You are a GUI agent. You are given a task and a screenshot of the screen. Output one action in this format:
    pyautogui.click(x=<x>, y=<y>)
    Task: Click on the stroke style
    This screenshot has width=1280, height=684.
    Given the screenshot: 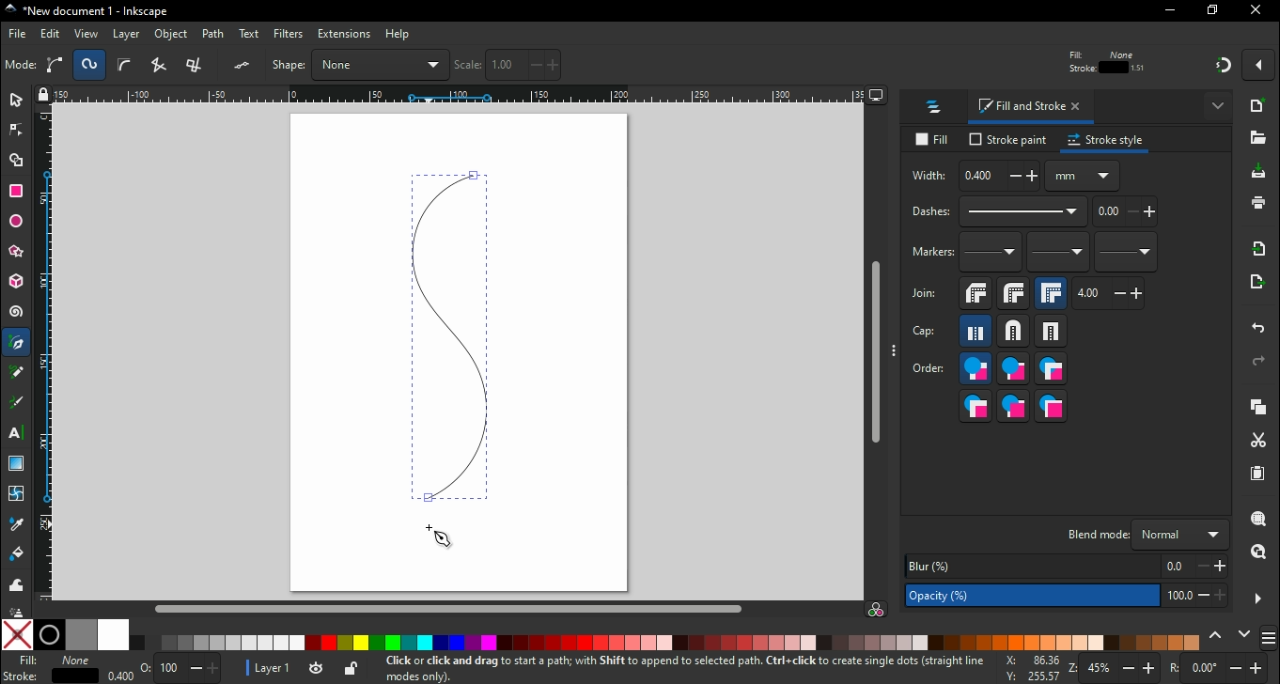 What is the action you would take?
    pyautogui.click(x=1108, y=143)
    